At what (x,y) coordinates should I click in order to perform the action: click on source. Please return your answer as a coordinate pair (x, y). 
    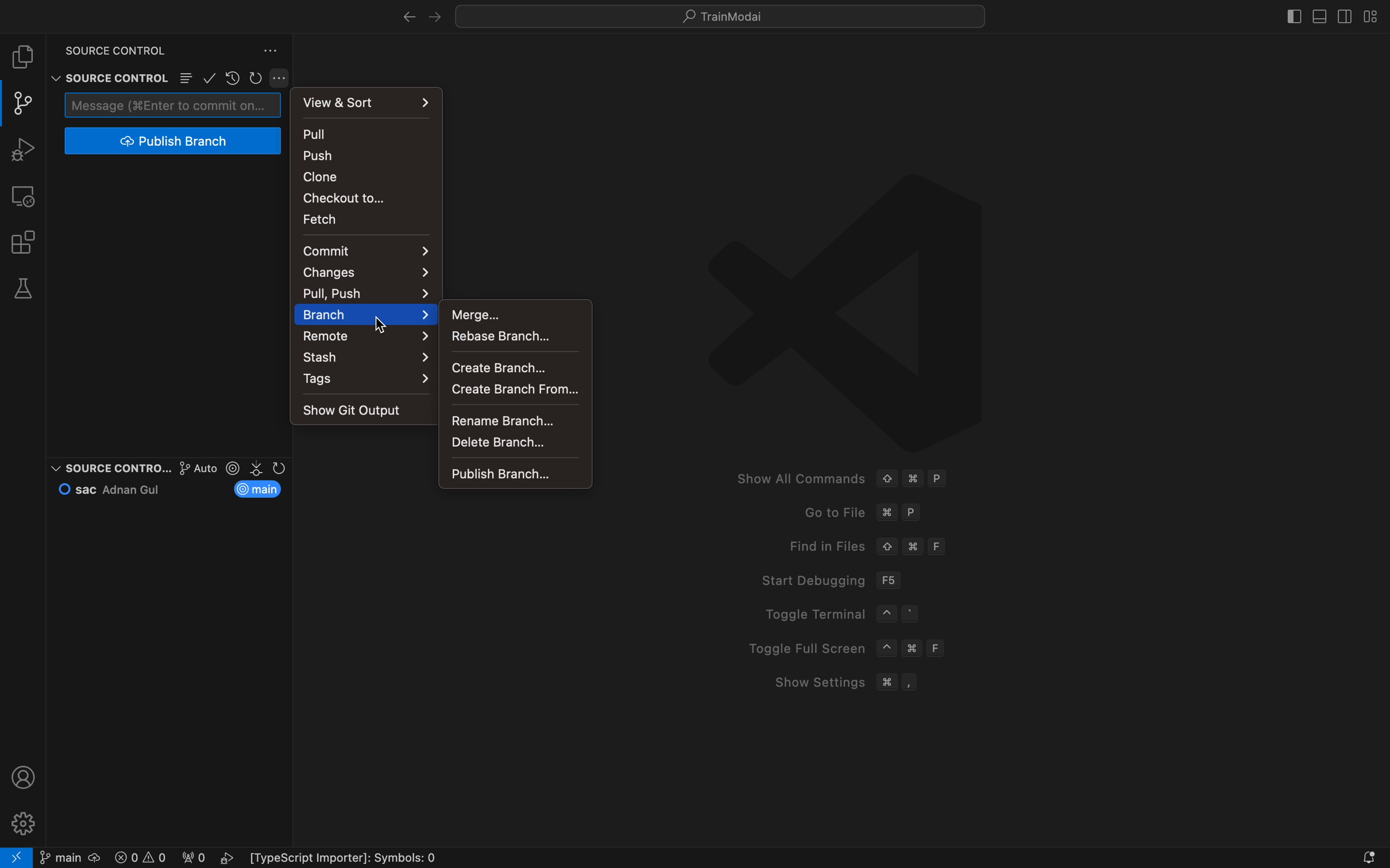
    Looking at the image, I should click on (107, 47).